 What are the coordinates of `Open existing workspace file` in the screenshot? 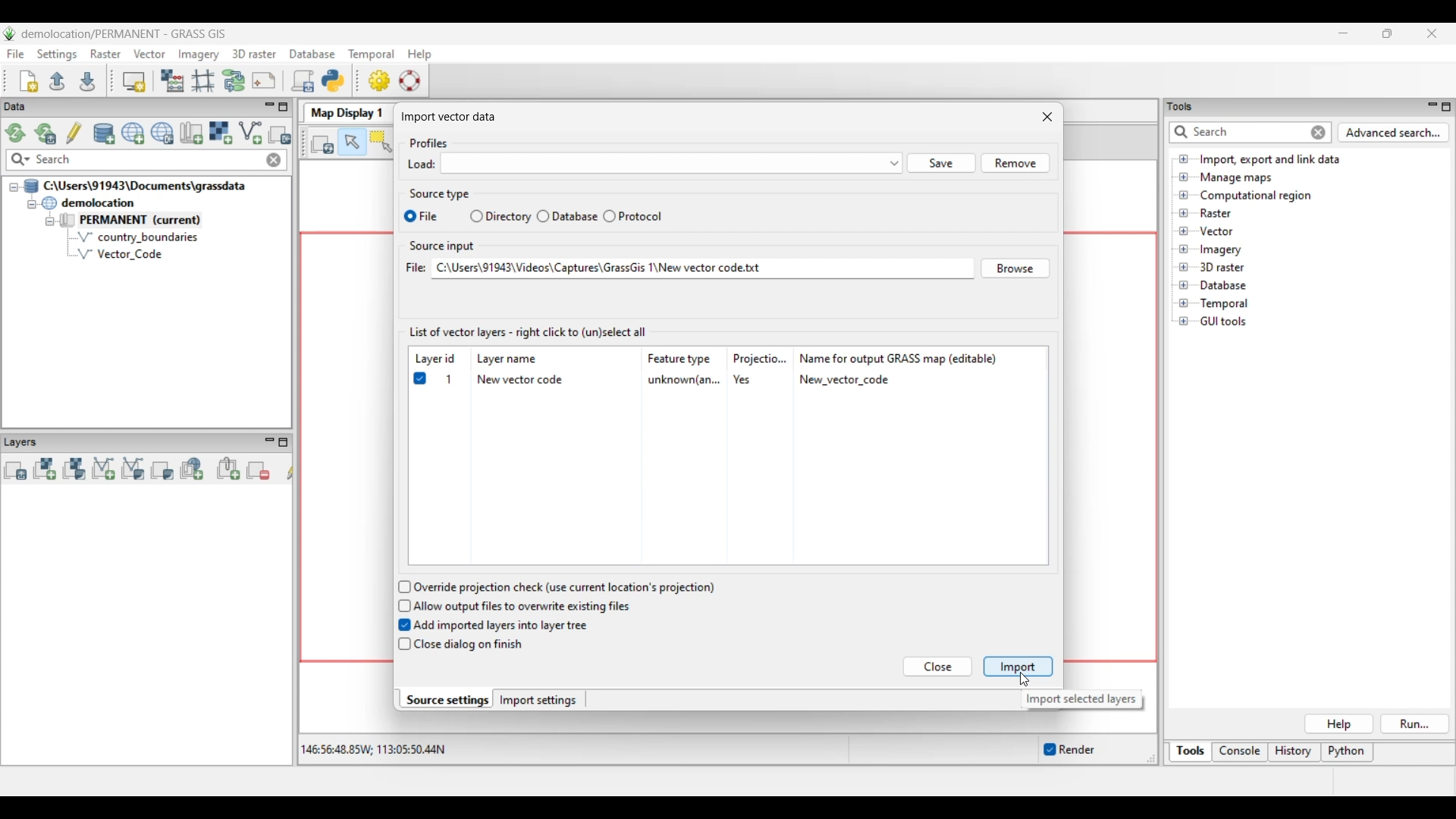 It's located at (57, 80).